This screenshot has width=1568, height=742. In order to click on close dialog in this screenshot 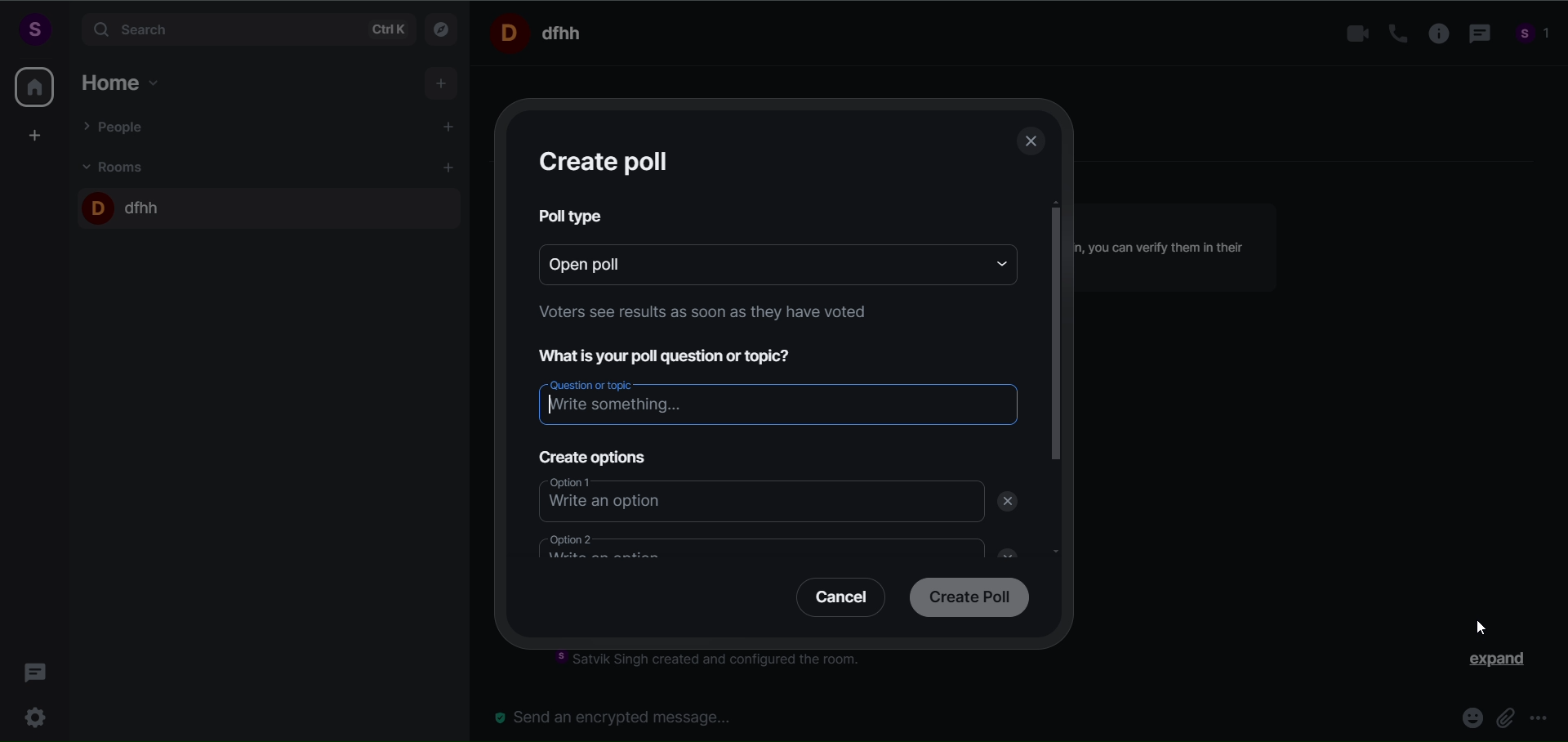, I will do `click(1032, 144)`.